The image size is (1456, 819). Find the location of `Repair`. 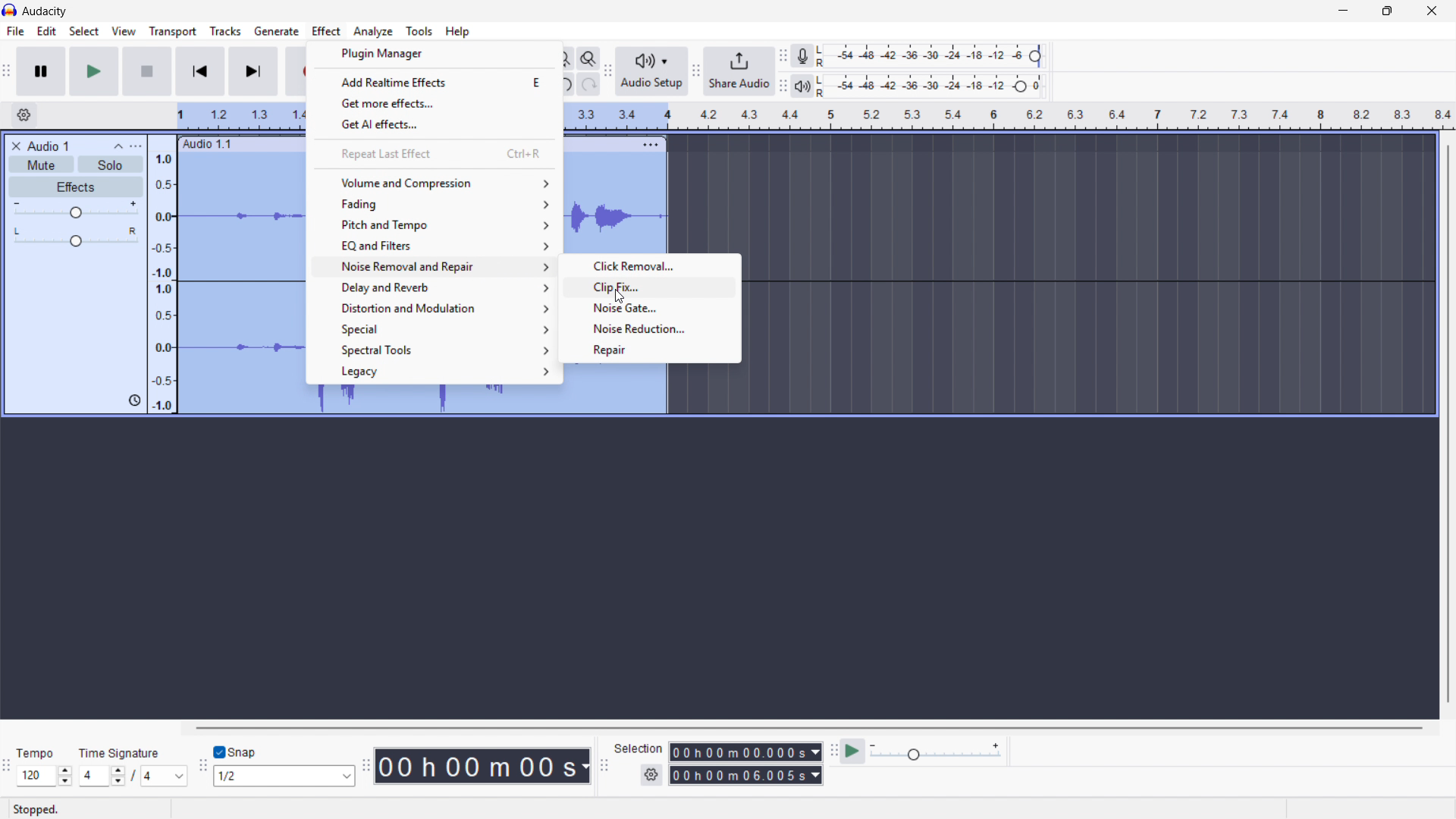

Repair is located at coordinates (651, 350).